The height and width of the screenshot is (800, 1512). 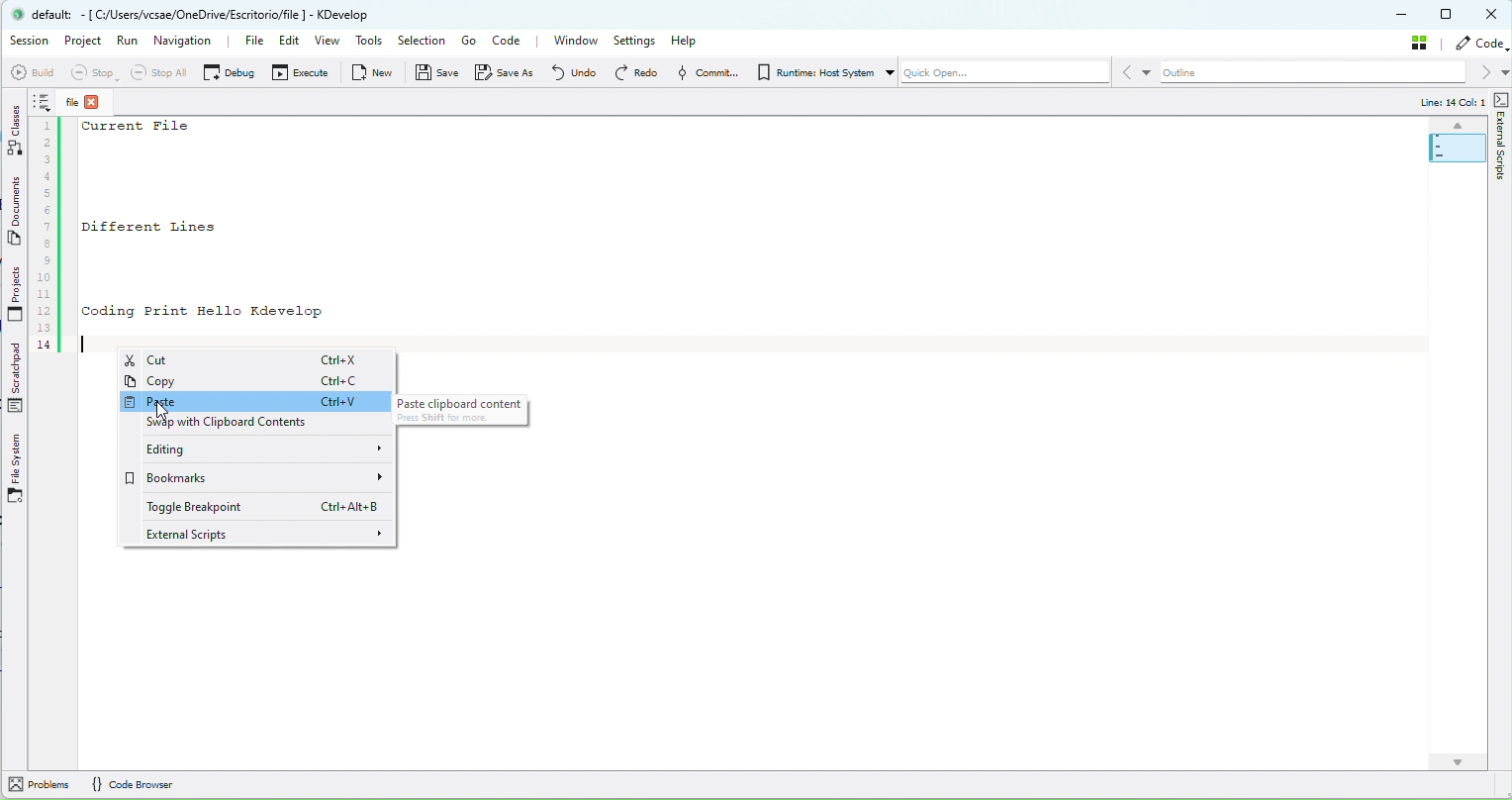 What do you see at coordinates (509, 72) in the screenshot?
I see `Save as` at bounding box center [509, 72].